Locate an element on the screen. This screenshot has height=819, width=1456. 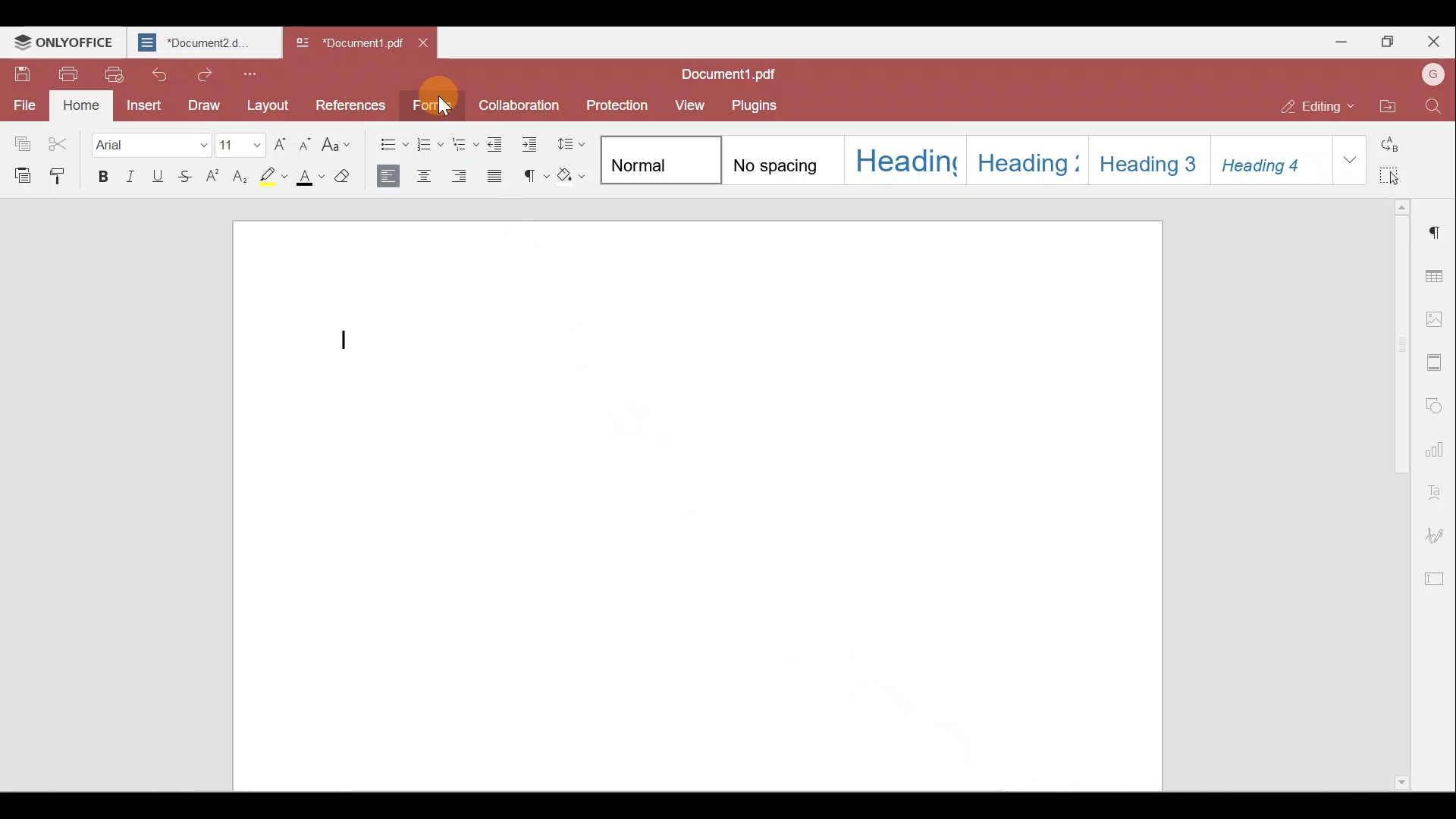
Protection is located at coordinates (622, 104).